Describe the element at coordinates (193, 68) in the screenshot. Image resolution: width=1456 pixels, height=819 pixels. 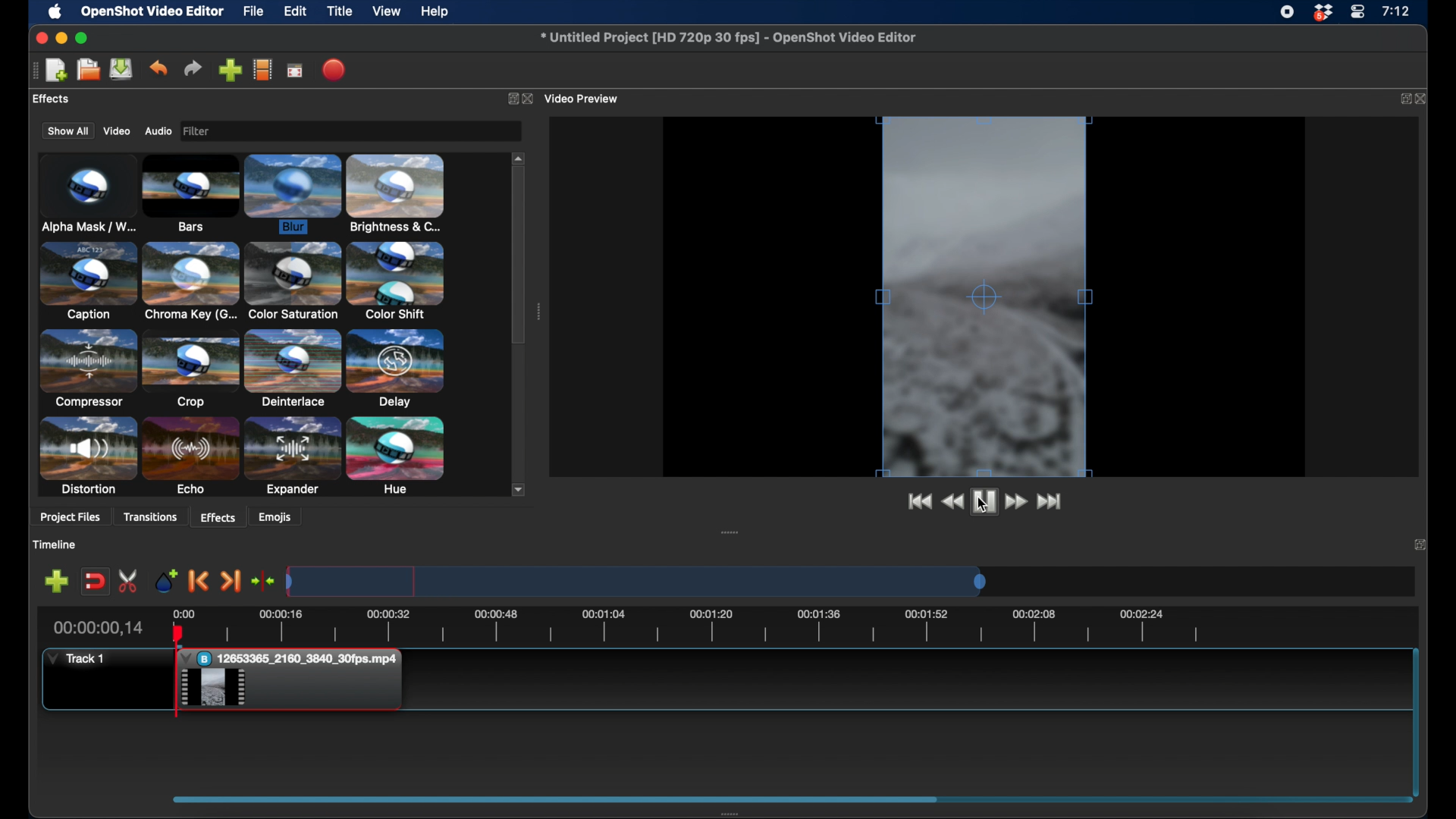
I see `redo` at that location.